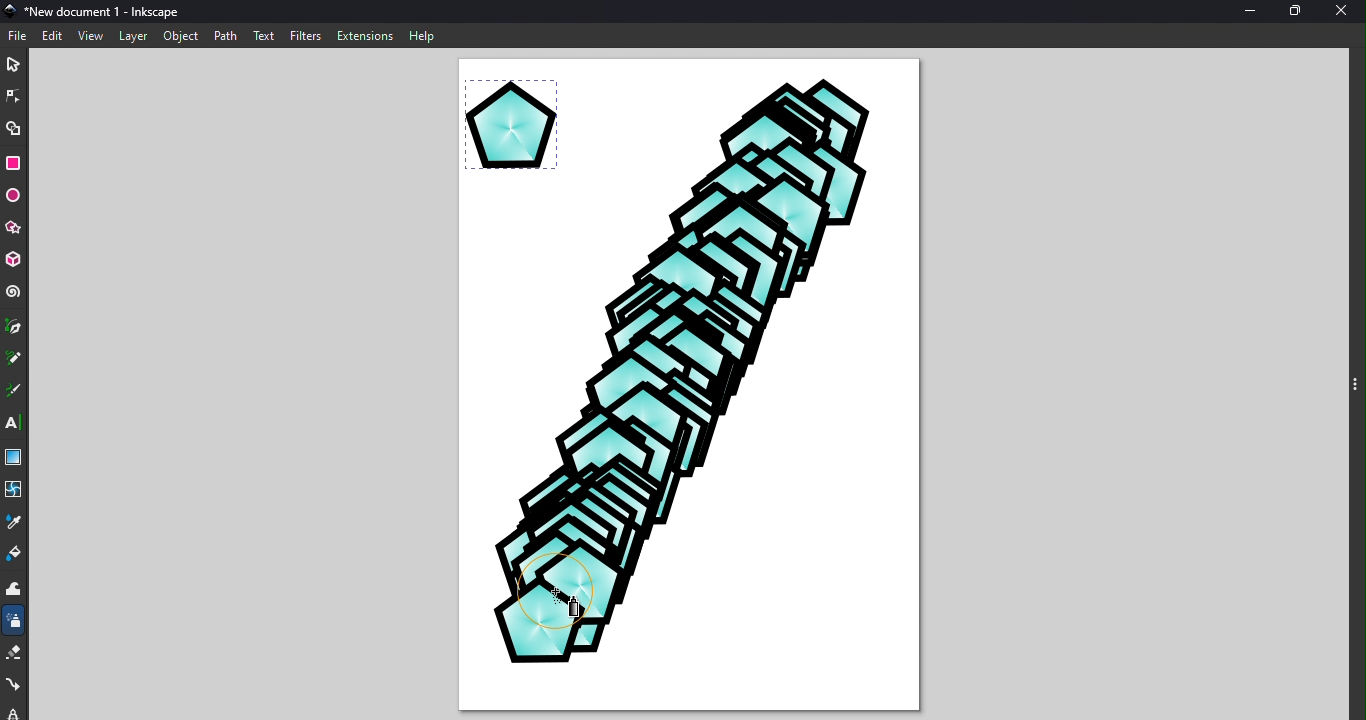 The width and height of the screenshot is (1366, 720). What do you see at coordinates (1244, 10) in the screenshot?
I see `Minimize` at bounding box center [1244, 10].